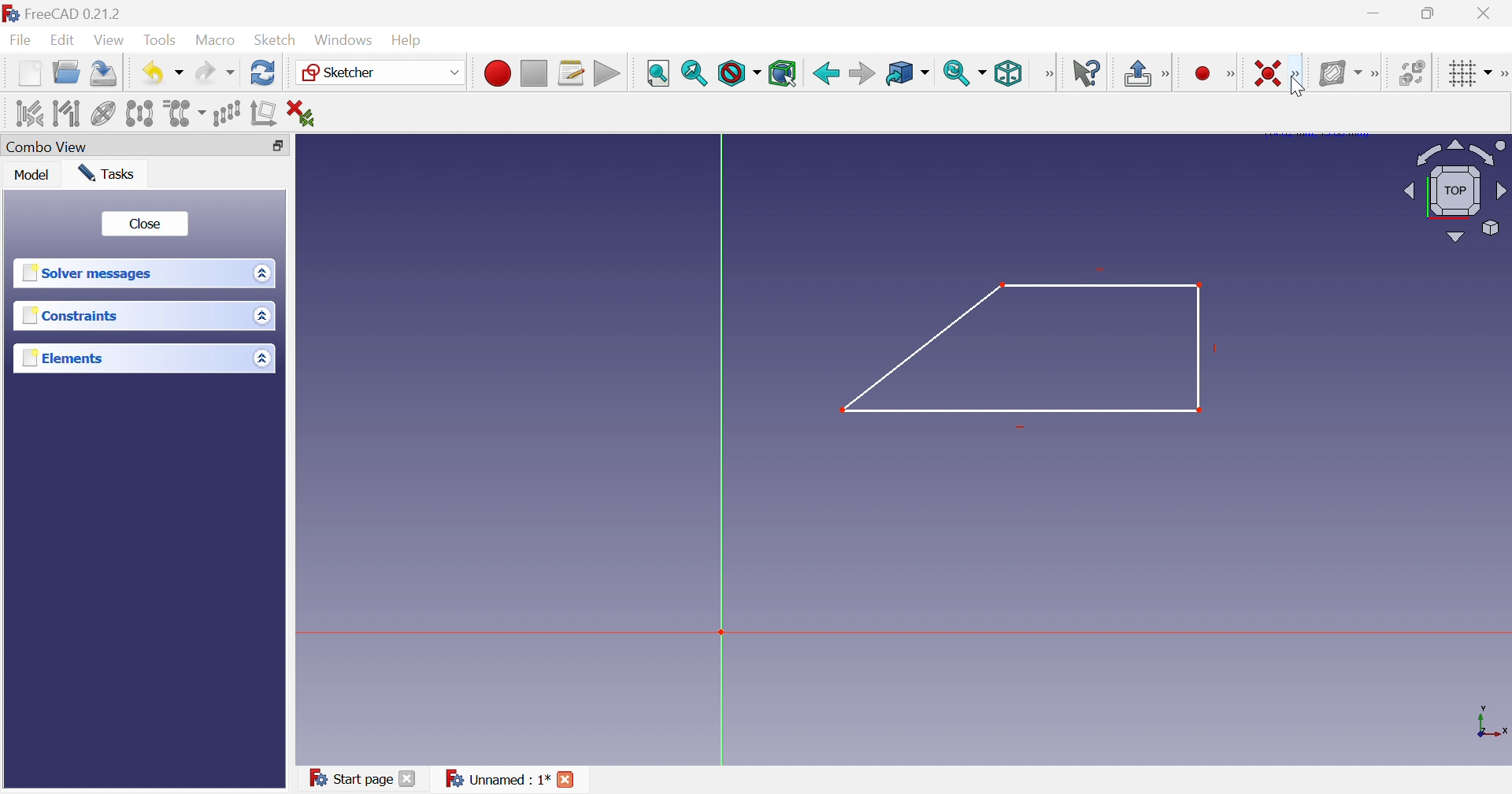  What do you see at coordinates (1048, 73) in the screenshot?
I see `More` at bounding box center [1048, 73].